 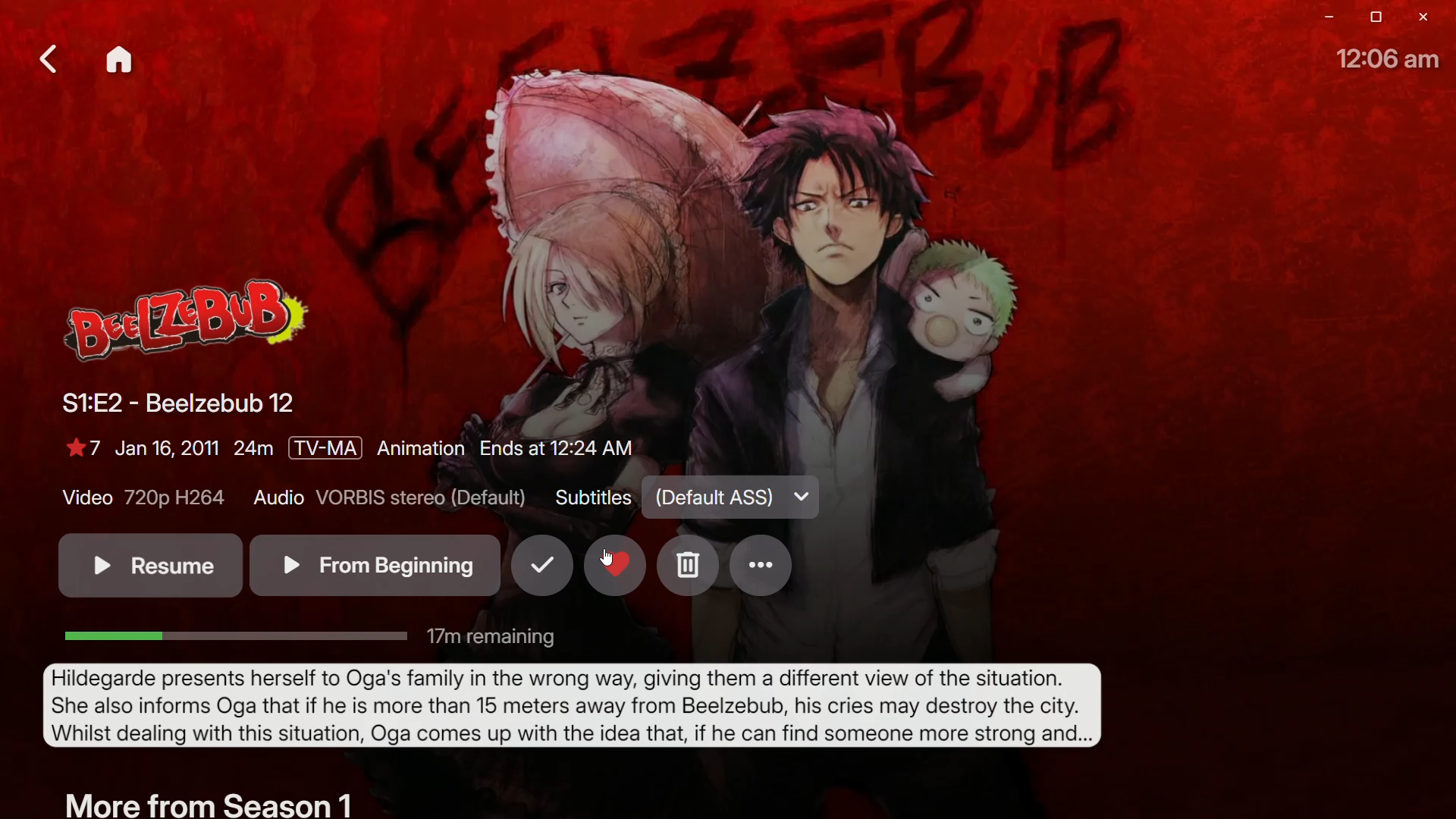 I want to click on Close, so click(x=1426, y=19).